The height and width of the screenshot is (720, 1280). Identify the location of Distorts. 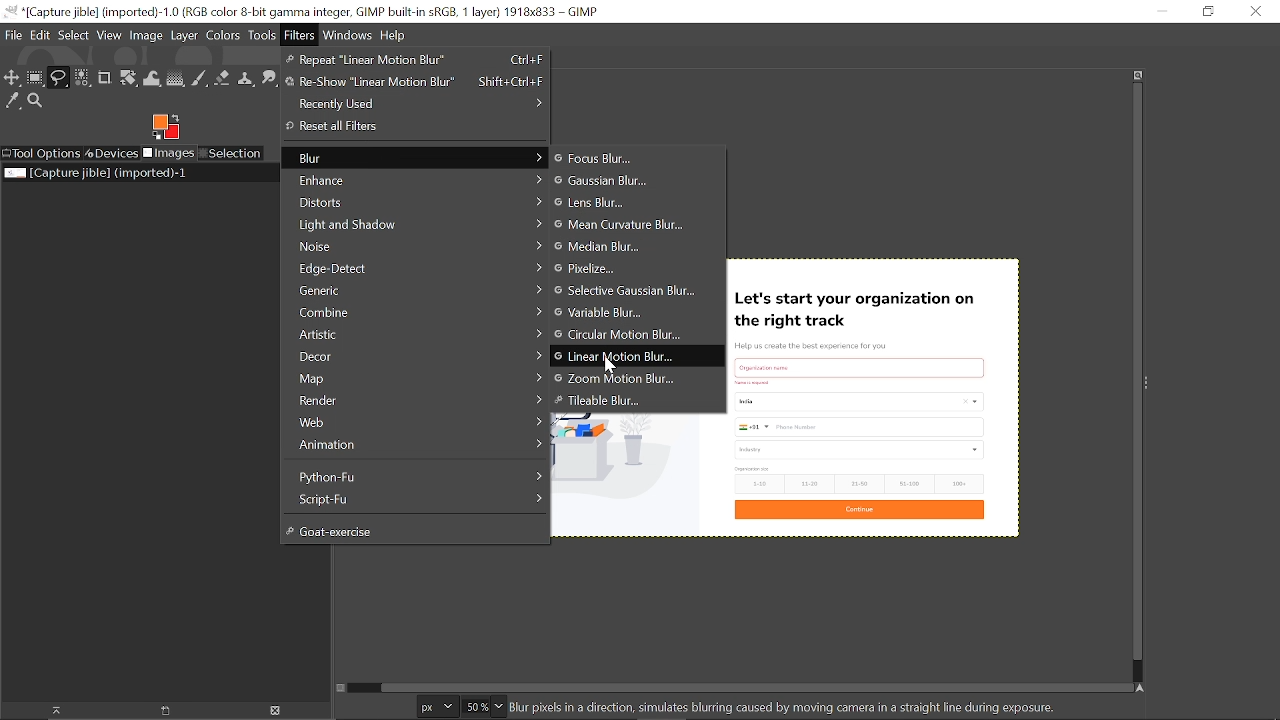
(415, 202).